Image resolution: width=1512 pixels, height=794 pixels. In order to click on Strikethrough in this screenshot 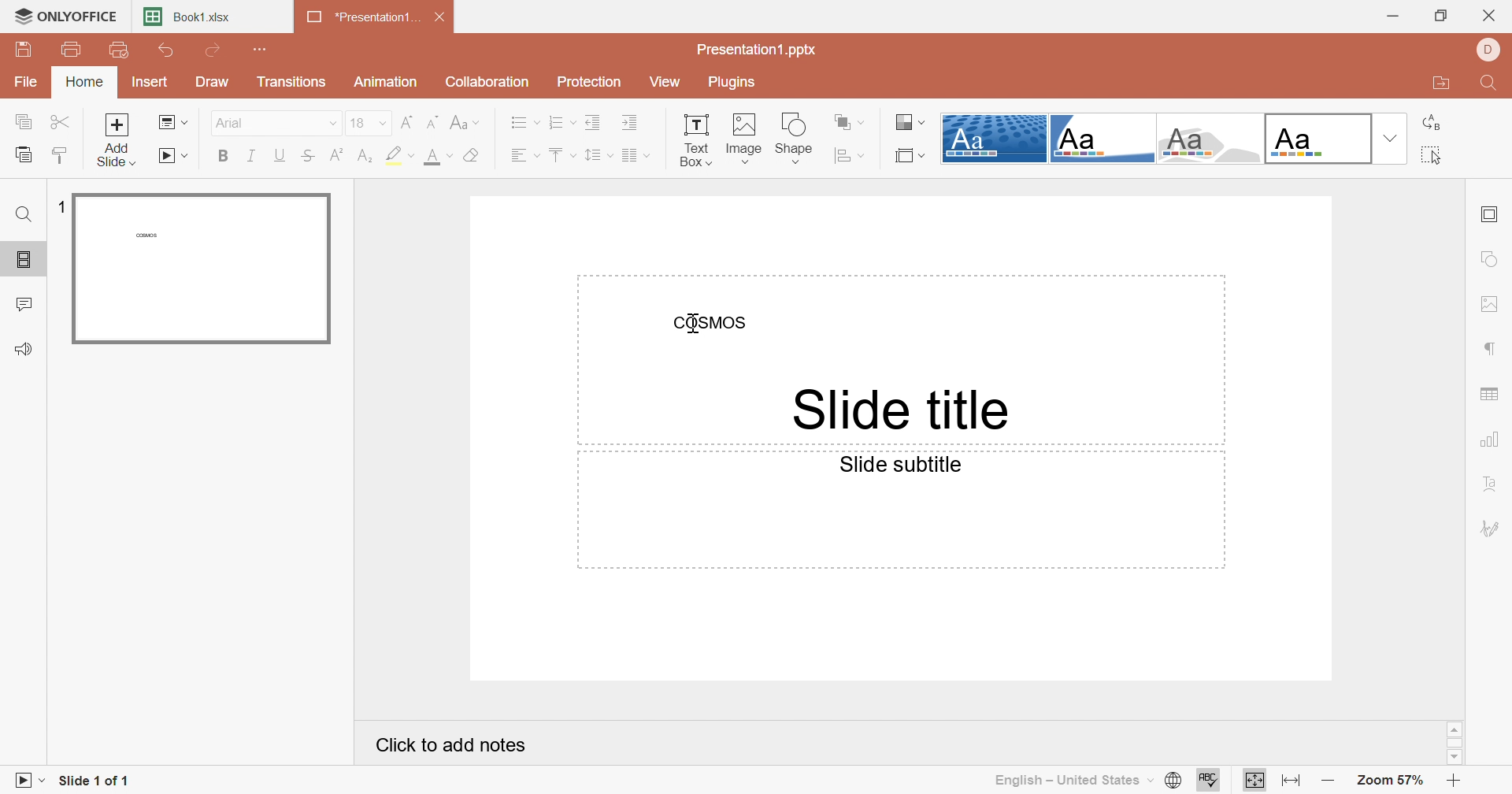, I will do `click(309, 157)`.